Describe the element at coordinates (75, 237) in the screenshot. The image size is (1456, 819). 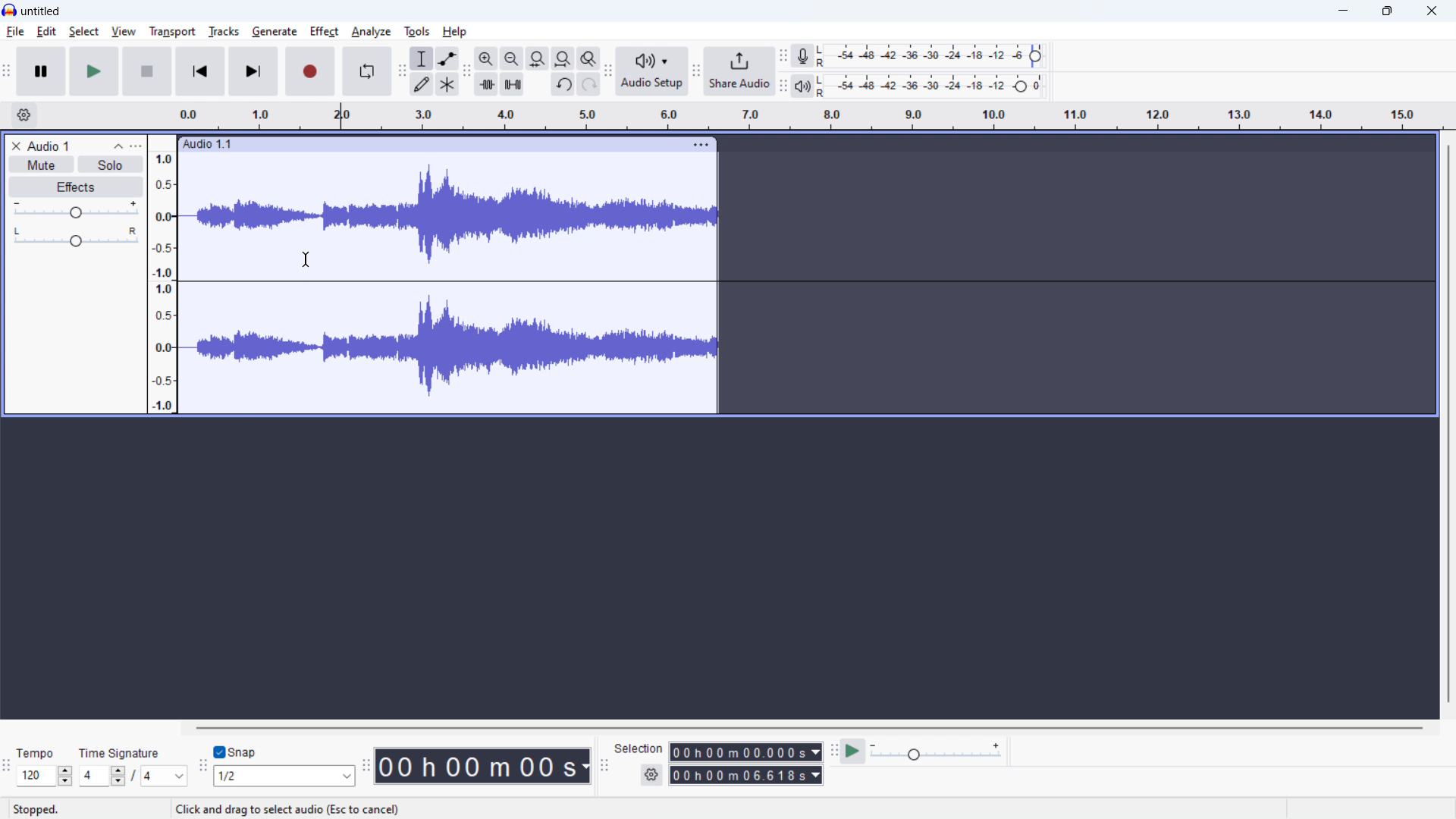
I see `pan` at that location.